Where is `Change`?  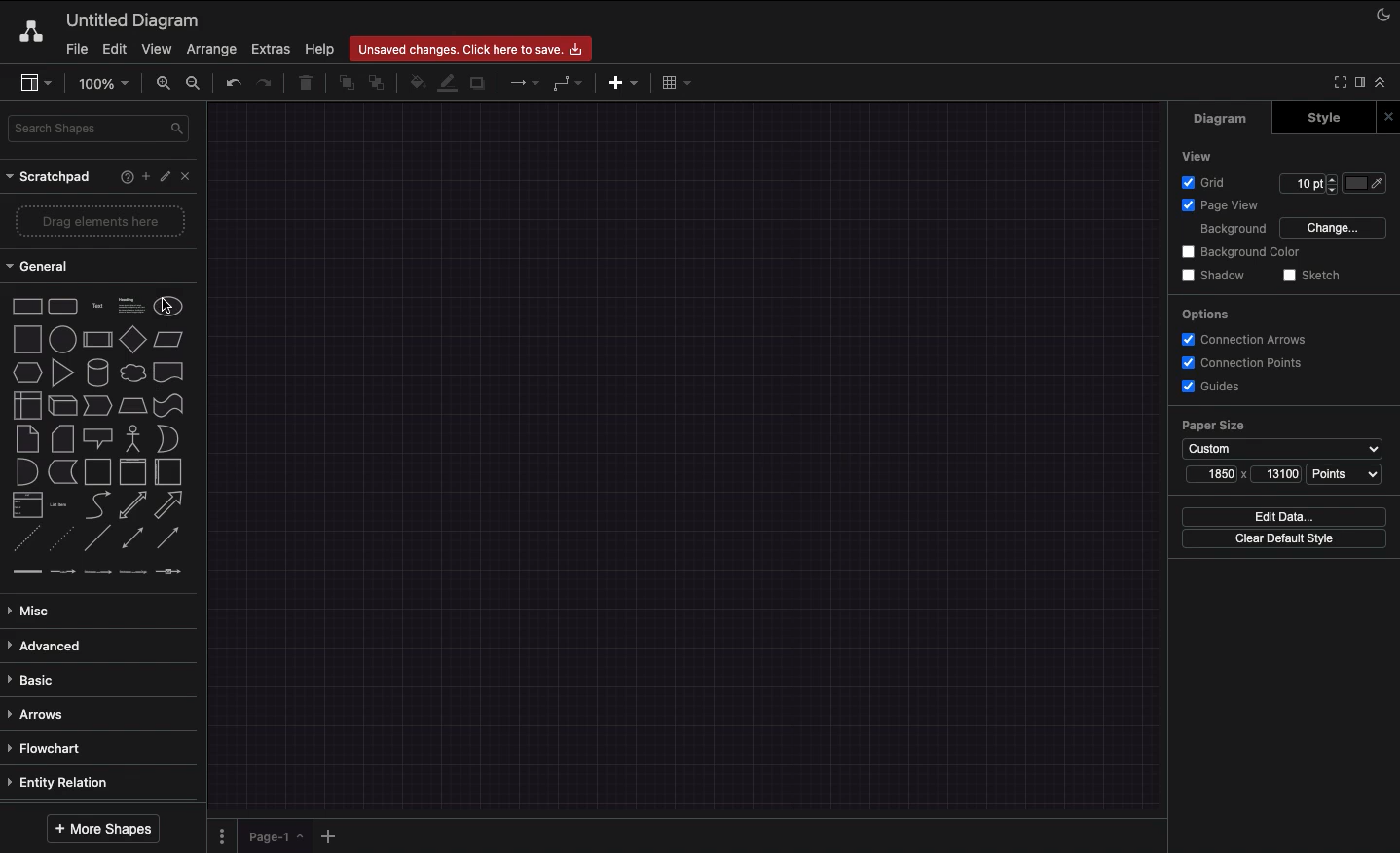
Change is located at coordinates (1332, 226).